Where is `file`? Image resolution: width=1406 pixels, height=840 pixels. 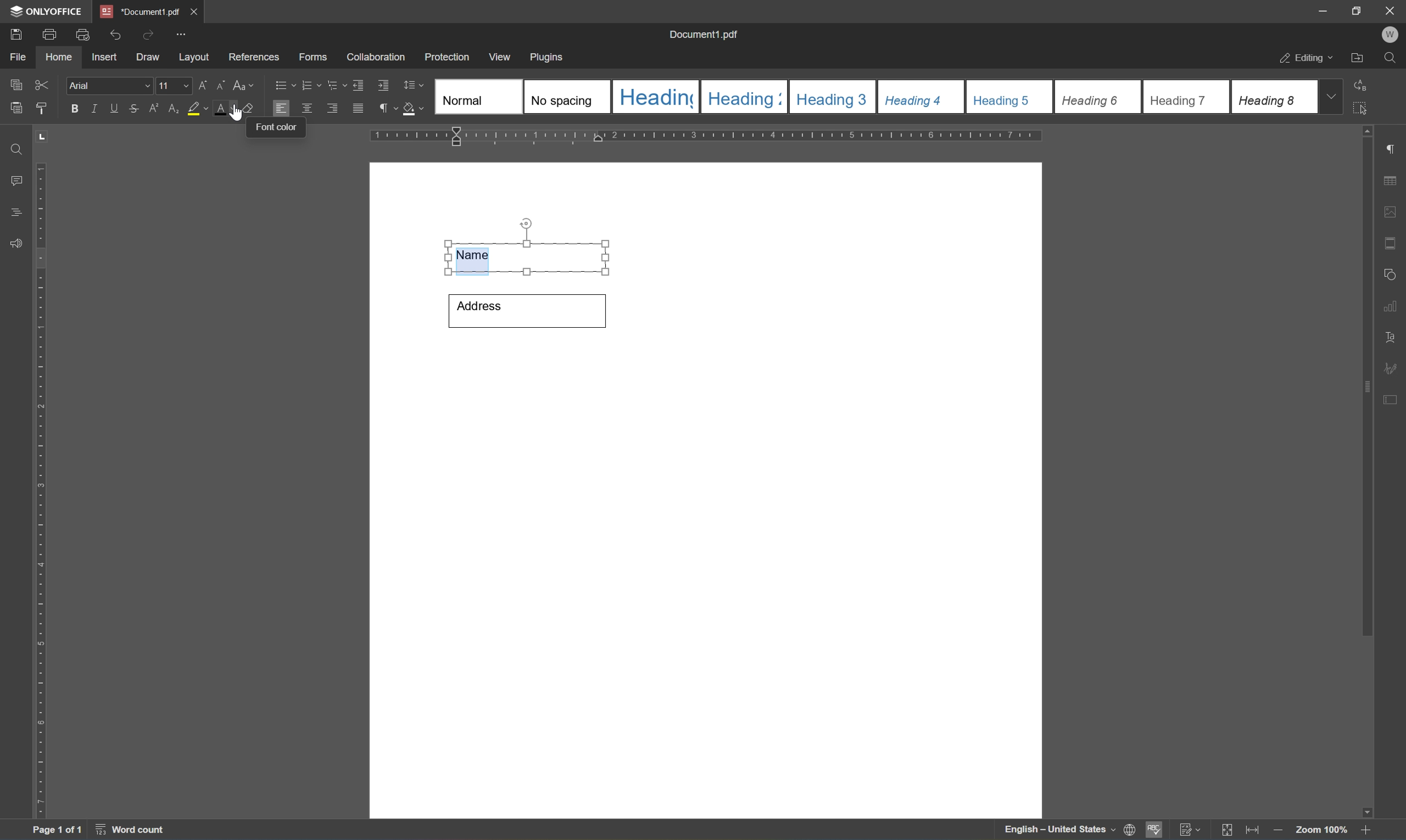 file is located at coordinates (22, 57).